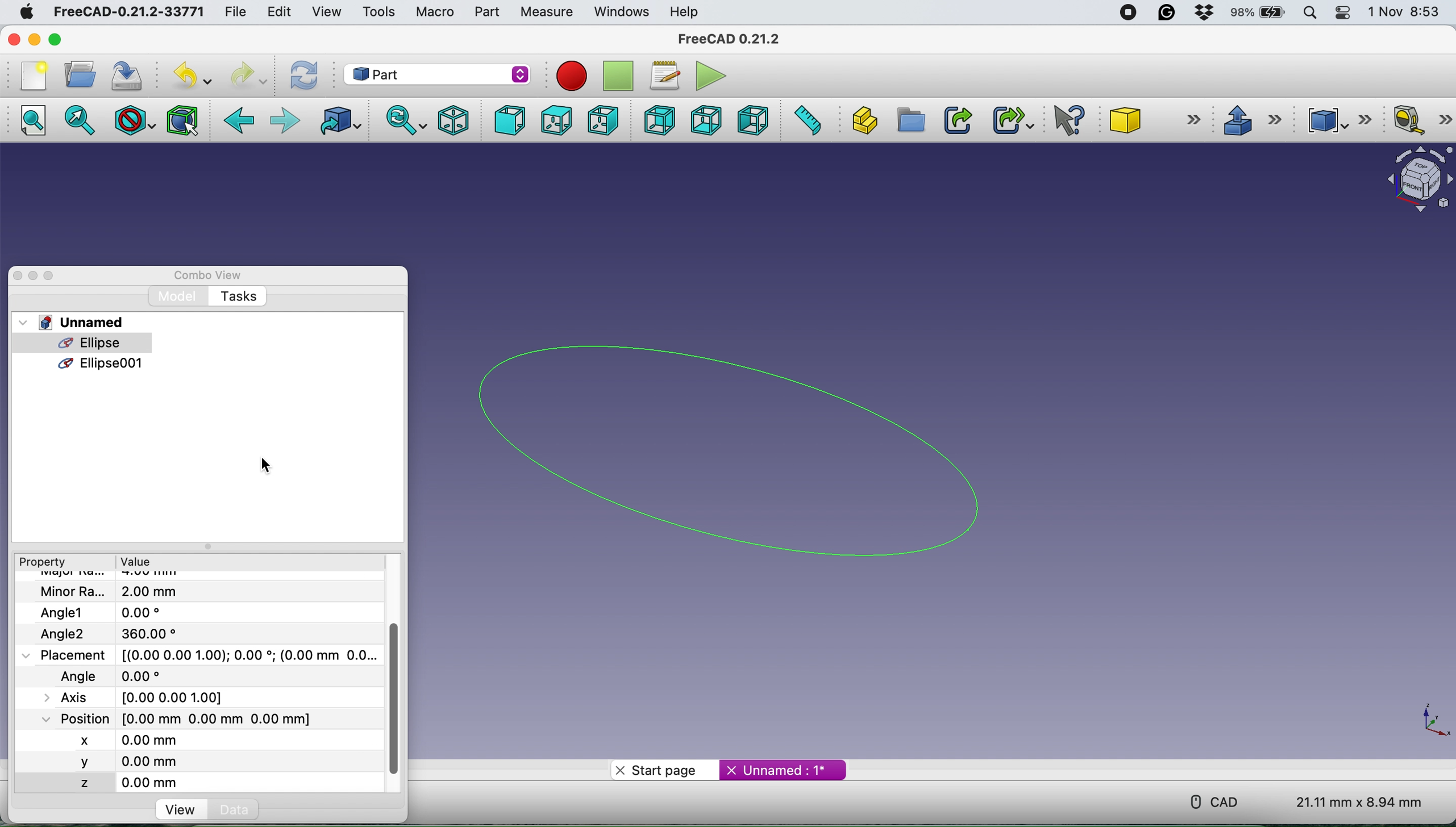 This screenshot has height=827, width=1456. What do you see at coordinates (192, 73) in the screenshot?
I see `undo` at bounding box center [192, 73].